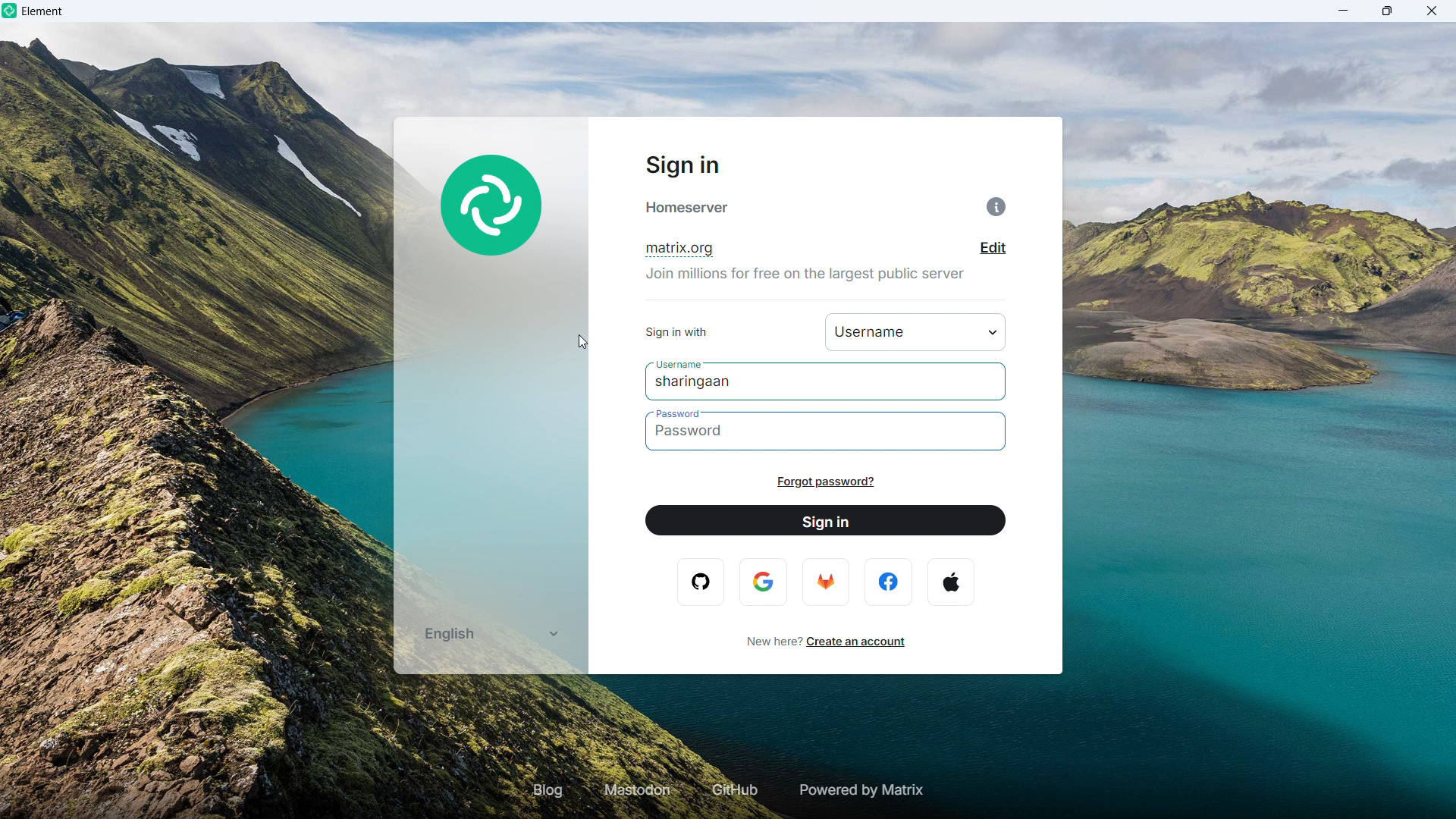  Describe the element at coordinates (767, 642) in the screenshot. I see `new here` at that location.